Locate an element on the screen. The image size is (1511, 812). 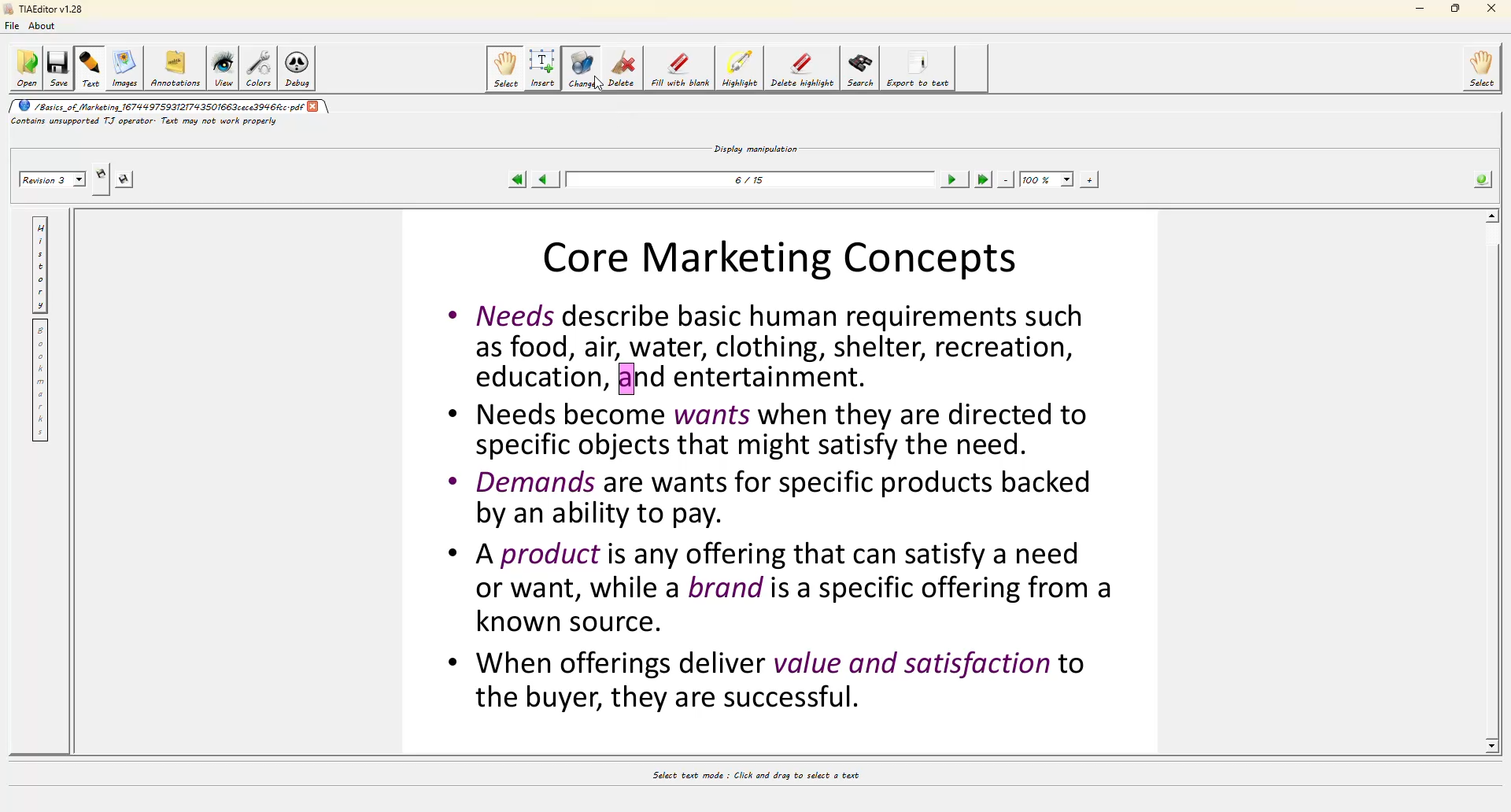
info is located at coordinates (1483, 180).